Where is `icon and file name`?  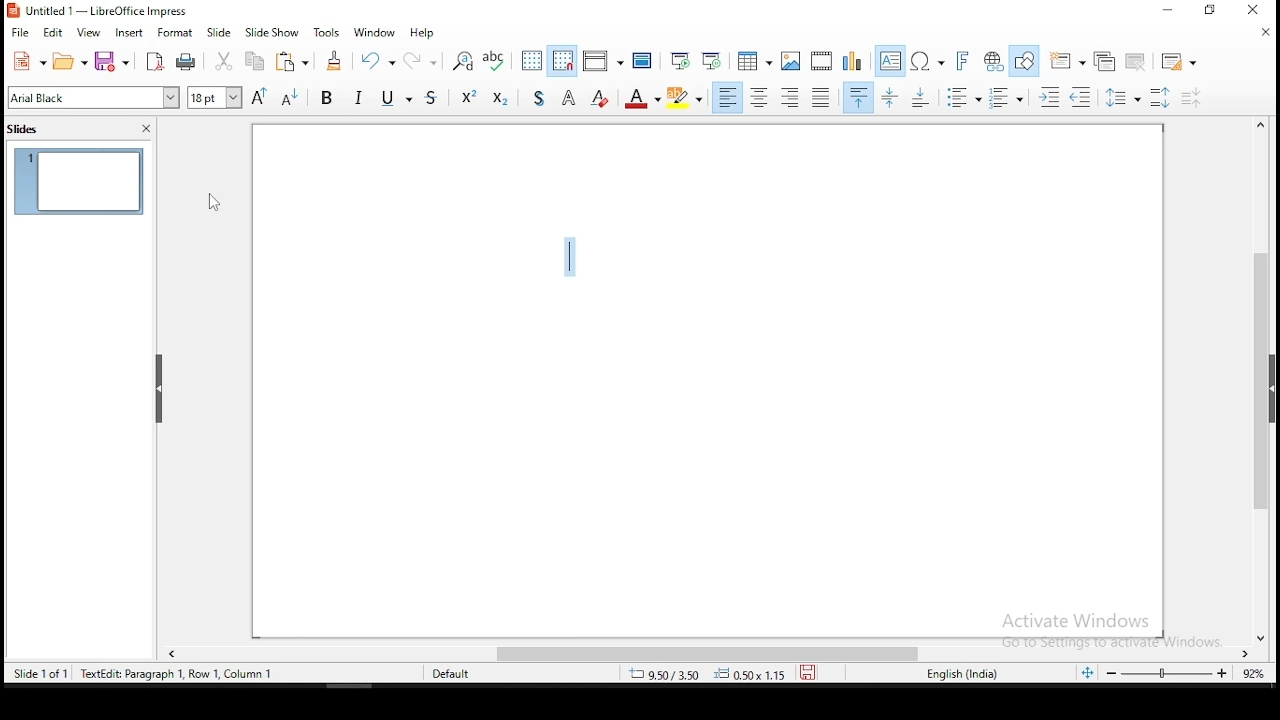 icon and file name is located at coordinates (106, 11).